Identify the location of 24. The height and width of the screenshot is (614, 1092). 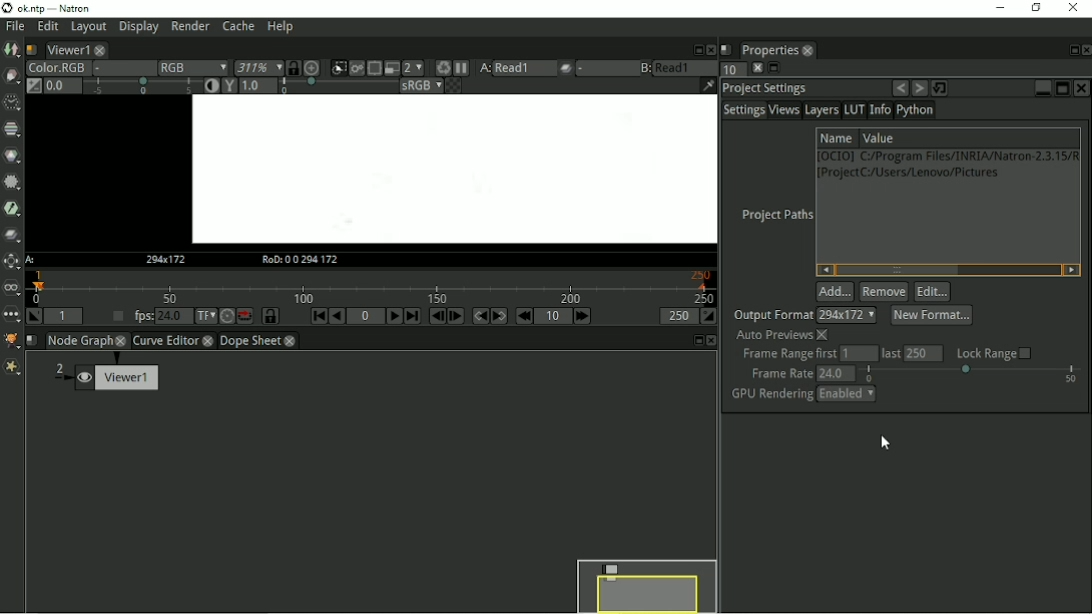
(174, 316).